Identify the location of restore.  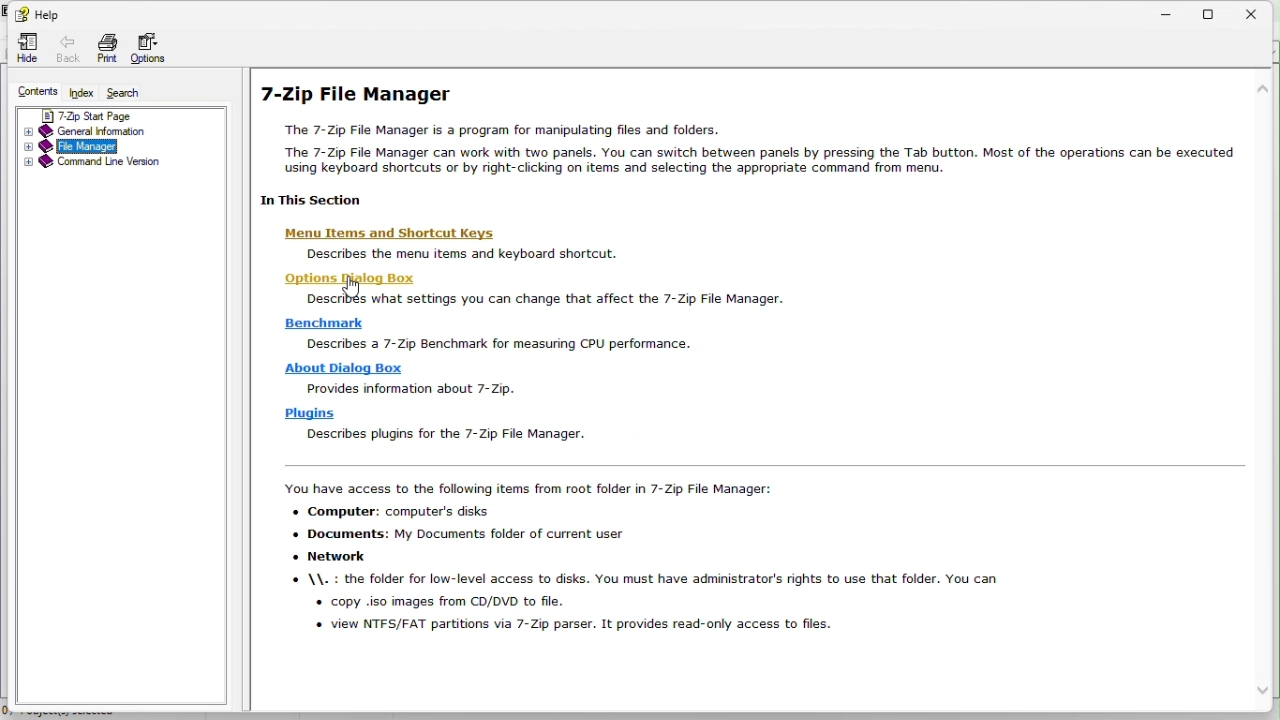
(1218, 11).